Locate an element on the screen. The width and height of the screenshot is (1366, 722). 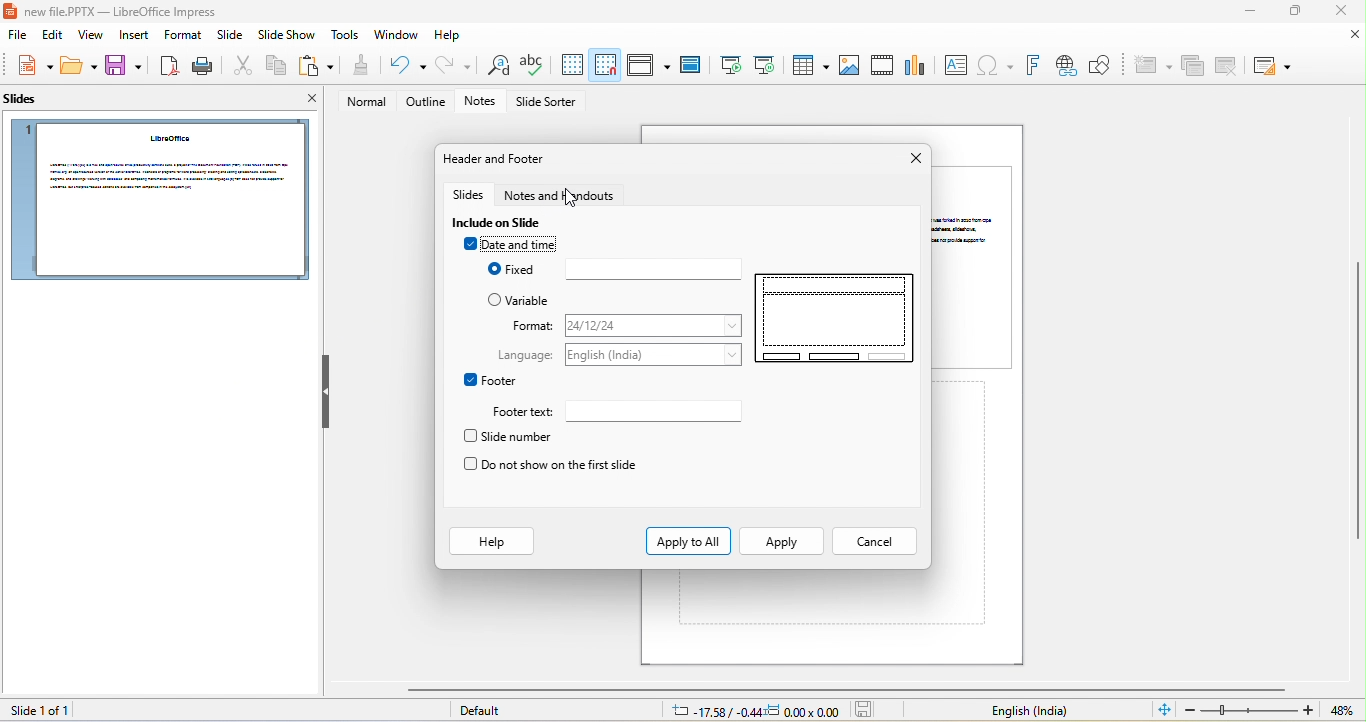
slide preview is located at coordinates (837, 319).